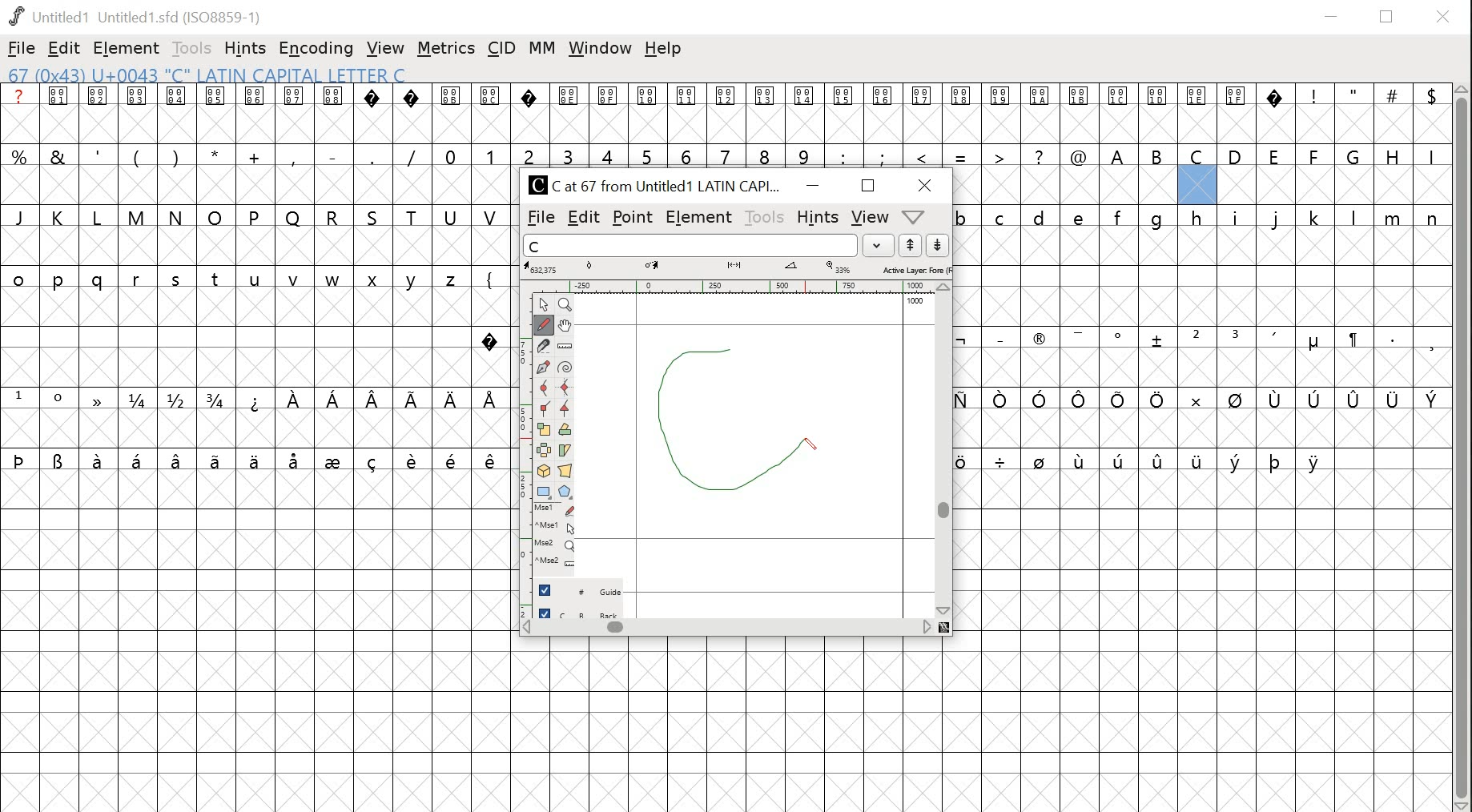  I want to click on point, so click(633, 215).